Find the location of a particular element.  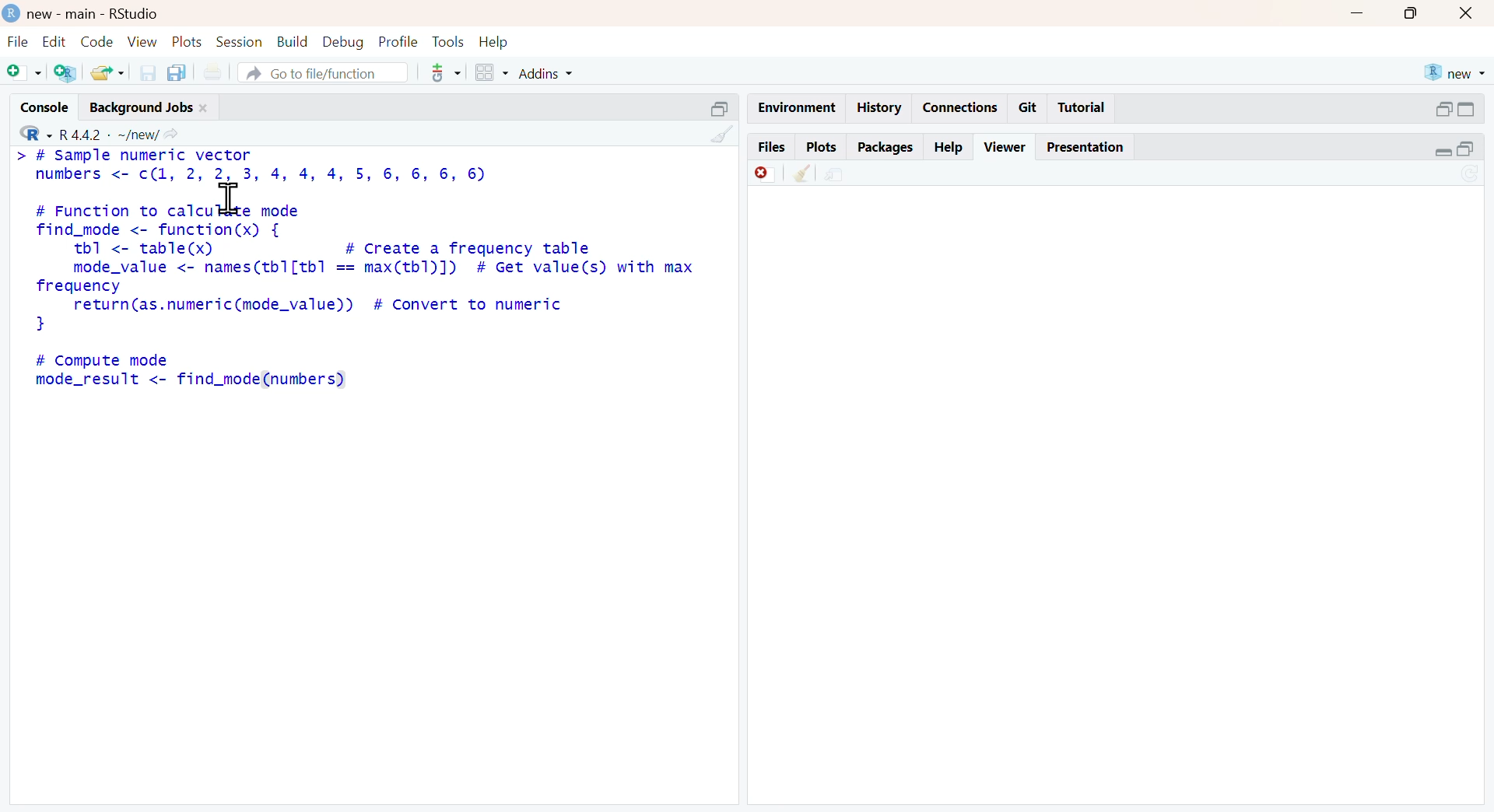

console is located at coordinates (44, 107).